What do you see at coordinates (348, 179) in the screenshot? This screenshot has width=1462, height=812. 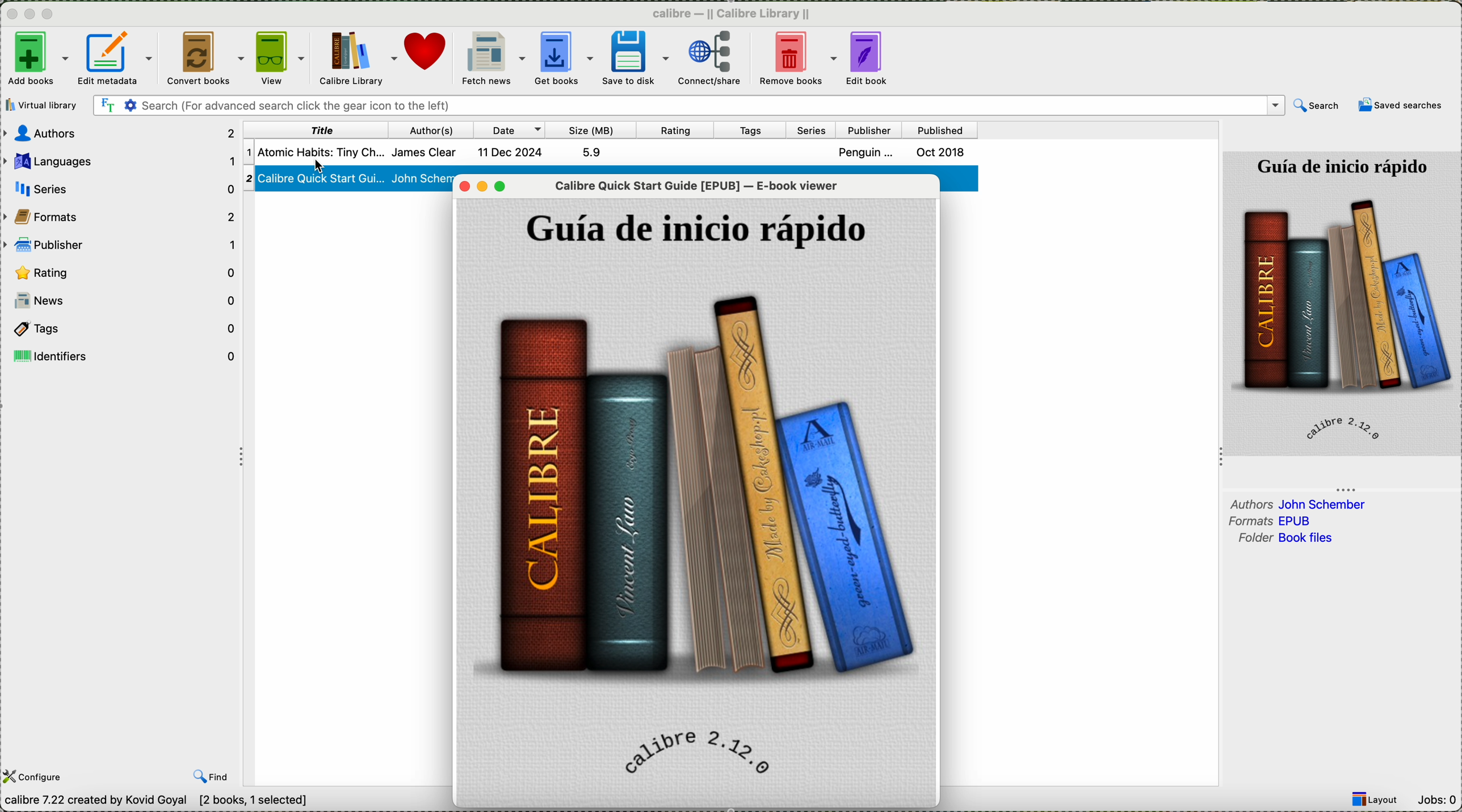 I see `Calibre Quick Start Gu.... John Schem` at bounding box center [348, 179].